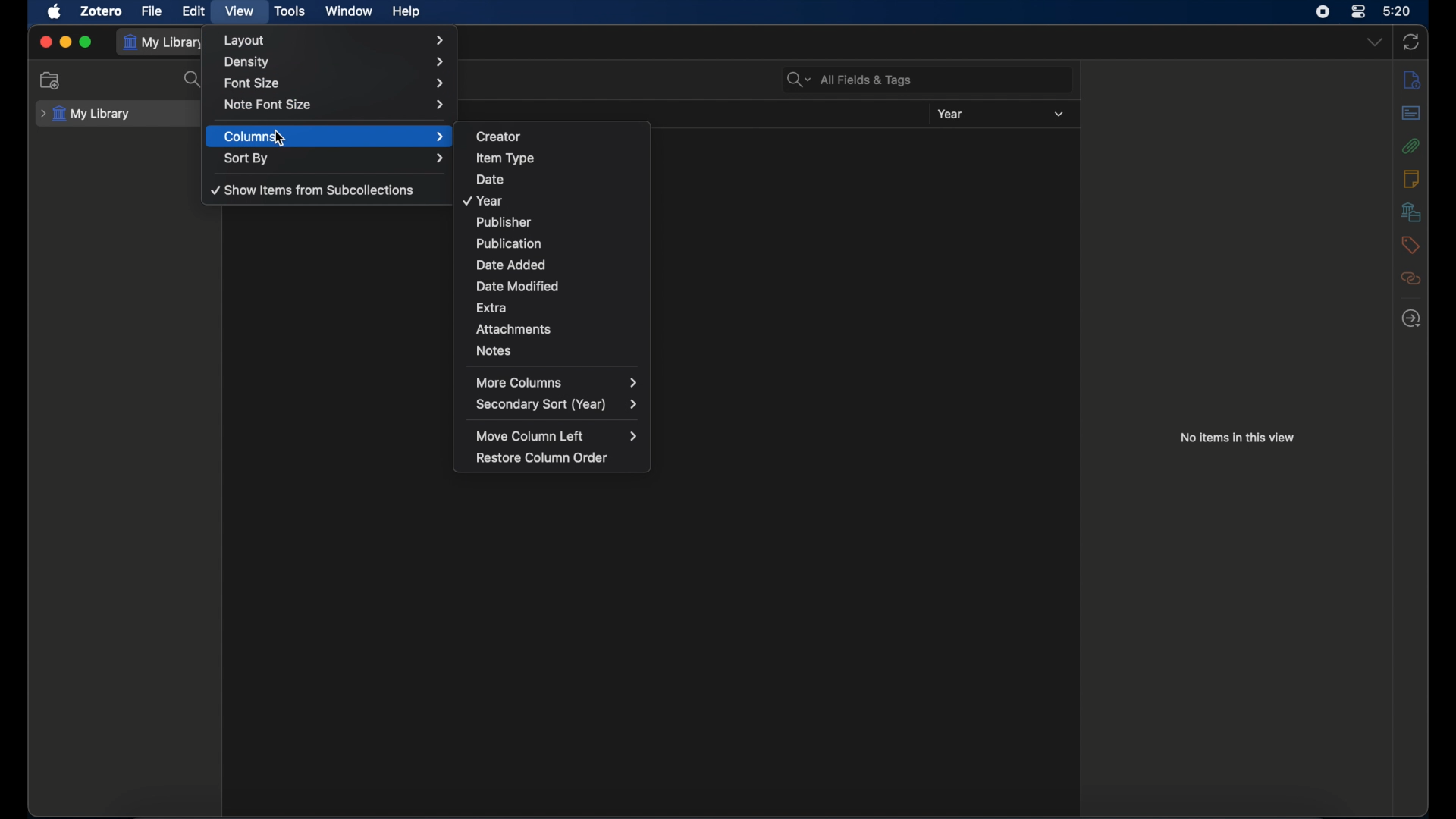 The image size is (1456, 819). I want to click on maximize, so click(86, 43).